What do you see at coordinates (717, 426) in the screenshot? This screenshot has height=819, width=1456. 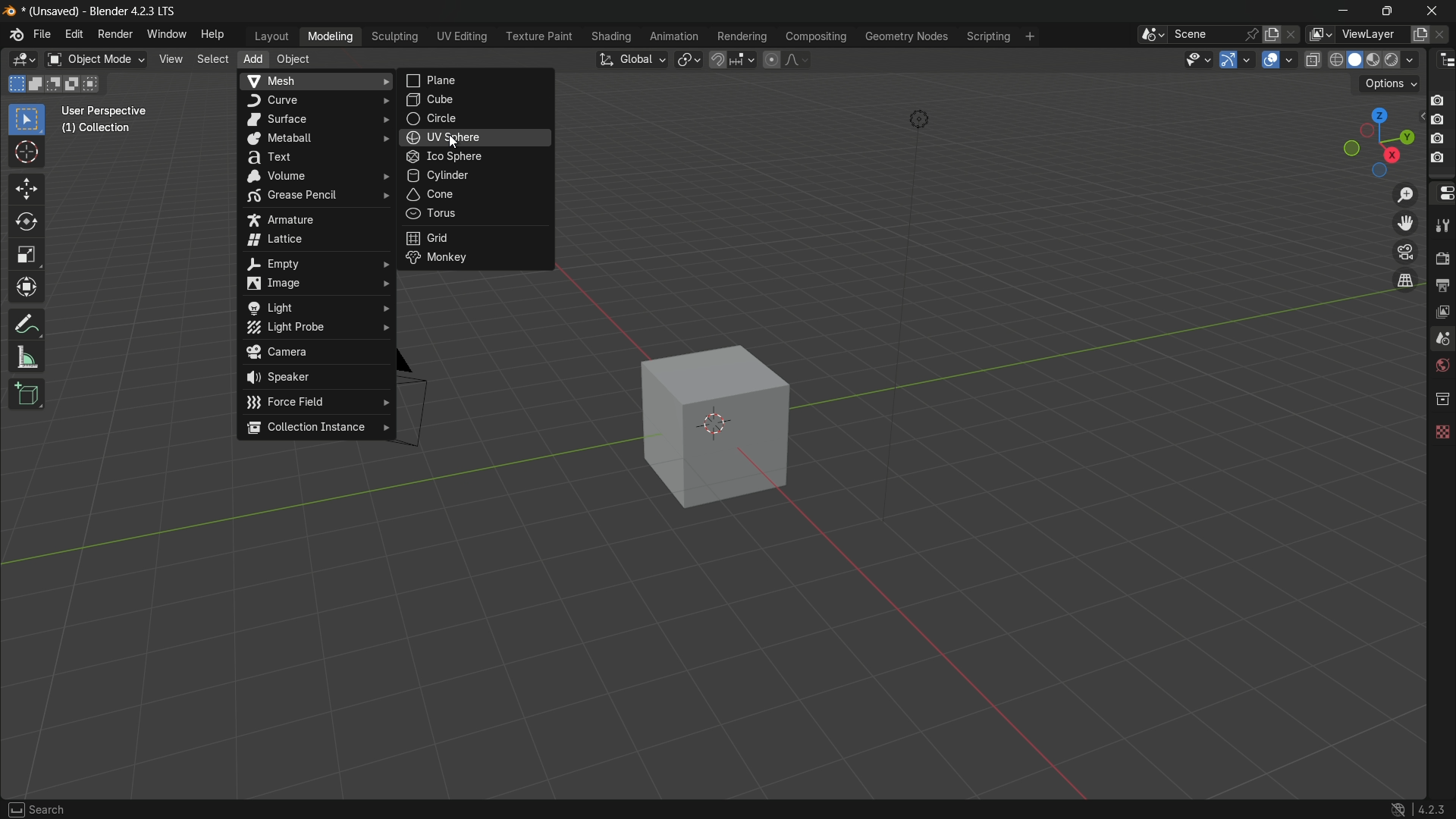 I see `cube` at bounding box center [717, 426].